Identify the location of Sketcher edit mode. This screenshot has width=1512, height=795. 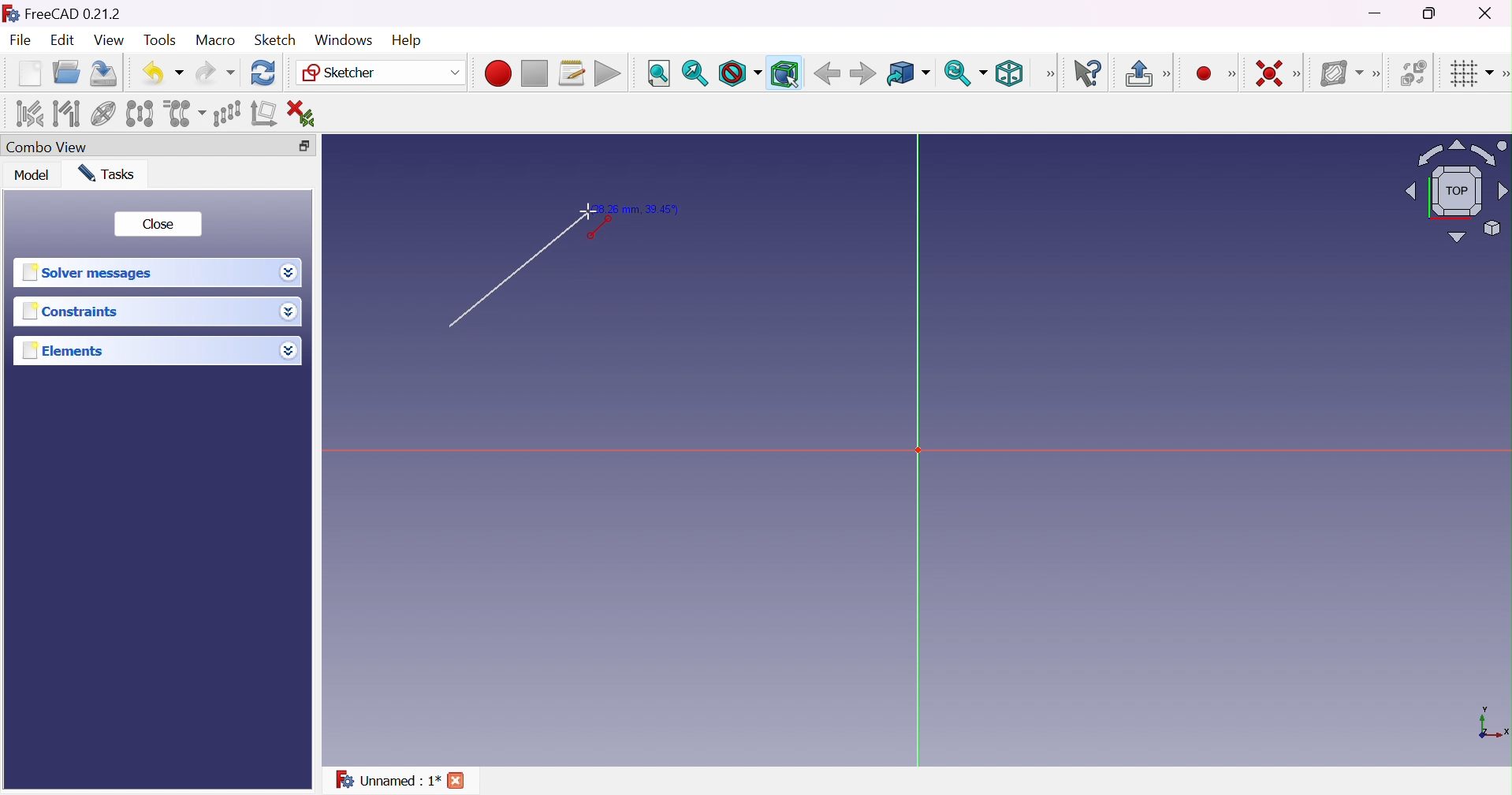
(1168, 75).